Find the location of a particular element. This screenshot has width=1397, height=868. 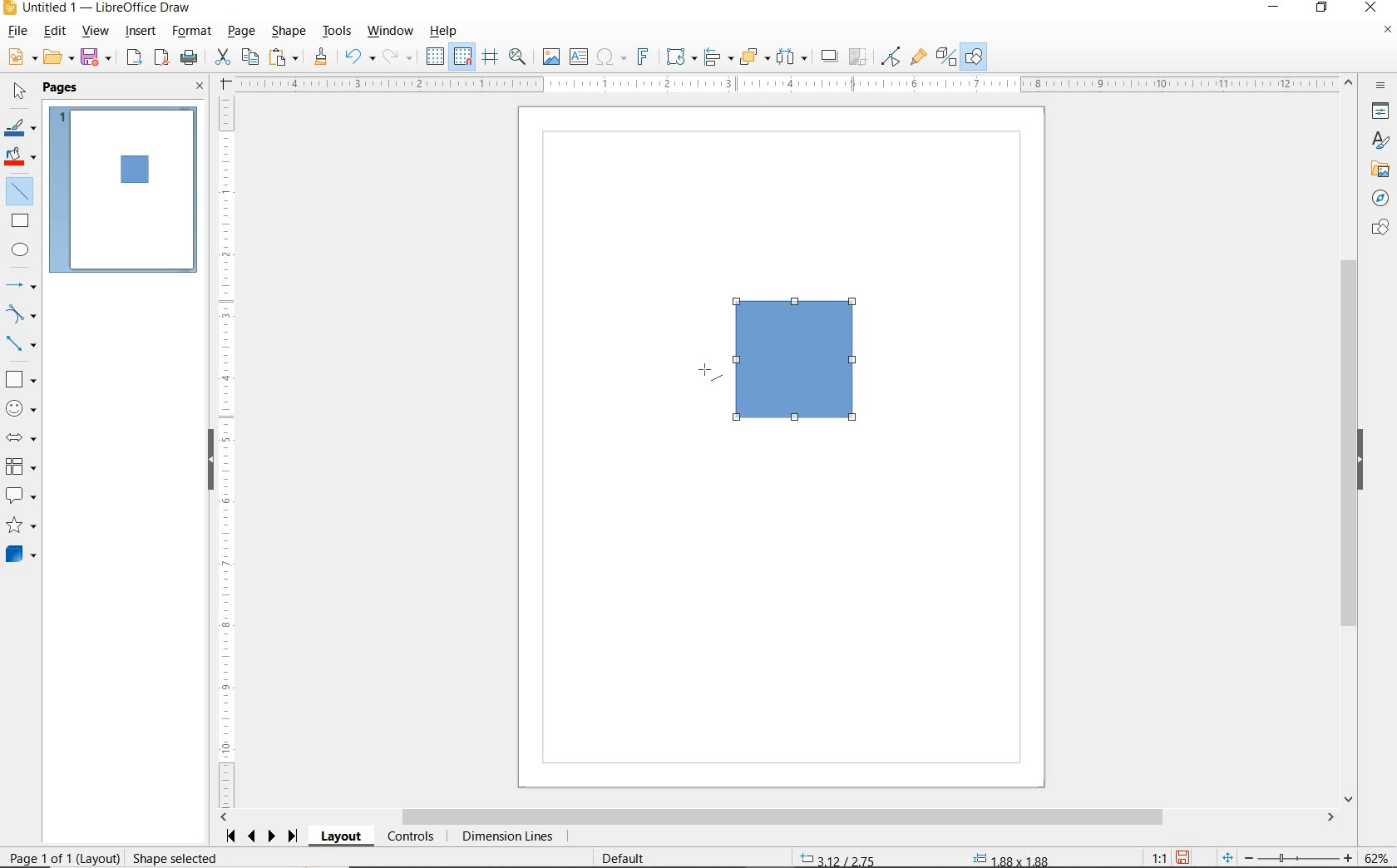

SAVE is located at coordinates (1182, 857).